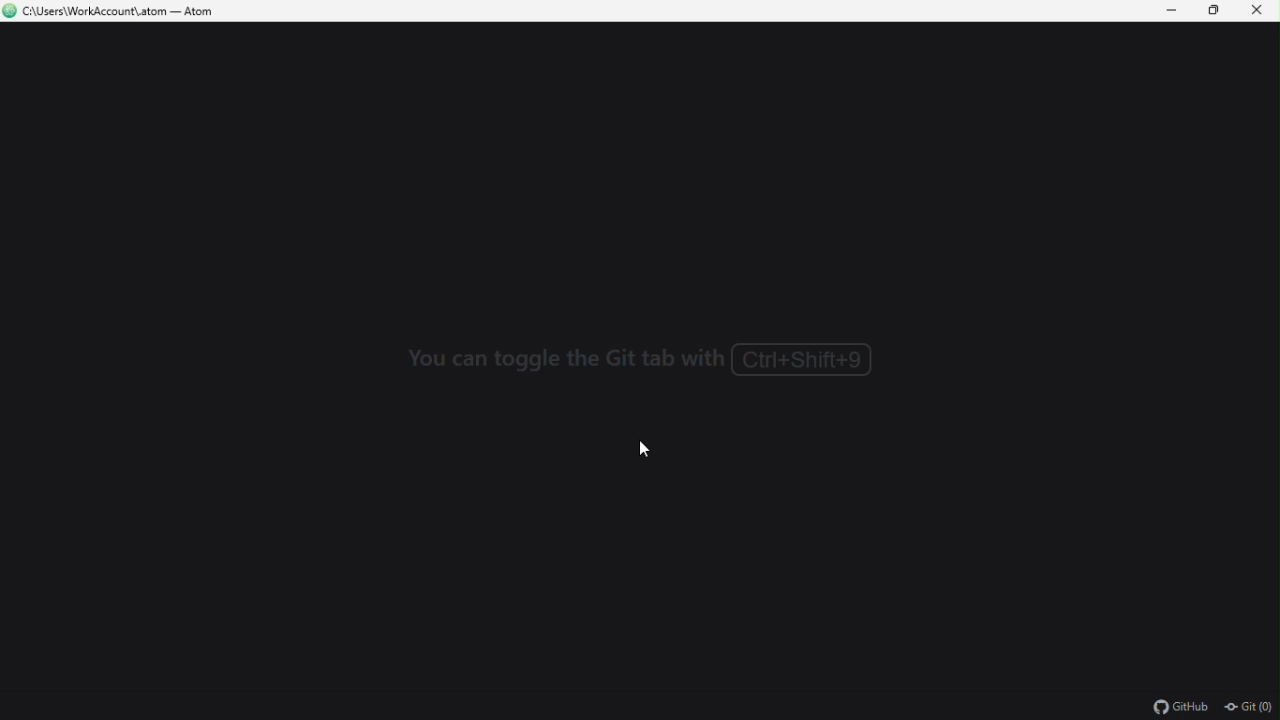 The image size is (1280, 720). What do you see at coordinates (1249, 707) in the screenshot?
I see `Git` at bounding box center [1249, 707].